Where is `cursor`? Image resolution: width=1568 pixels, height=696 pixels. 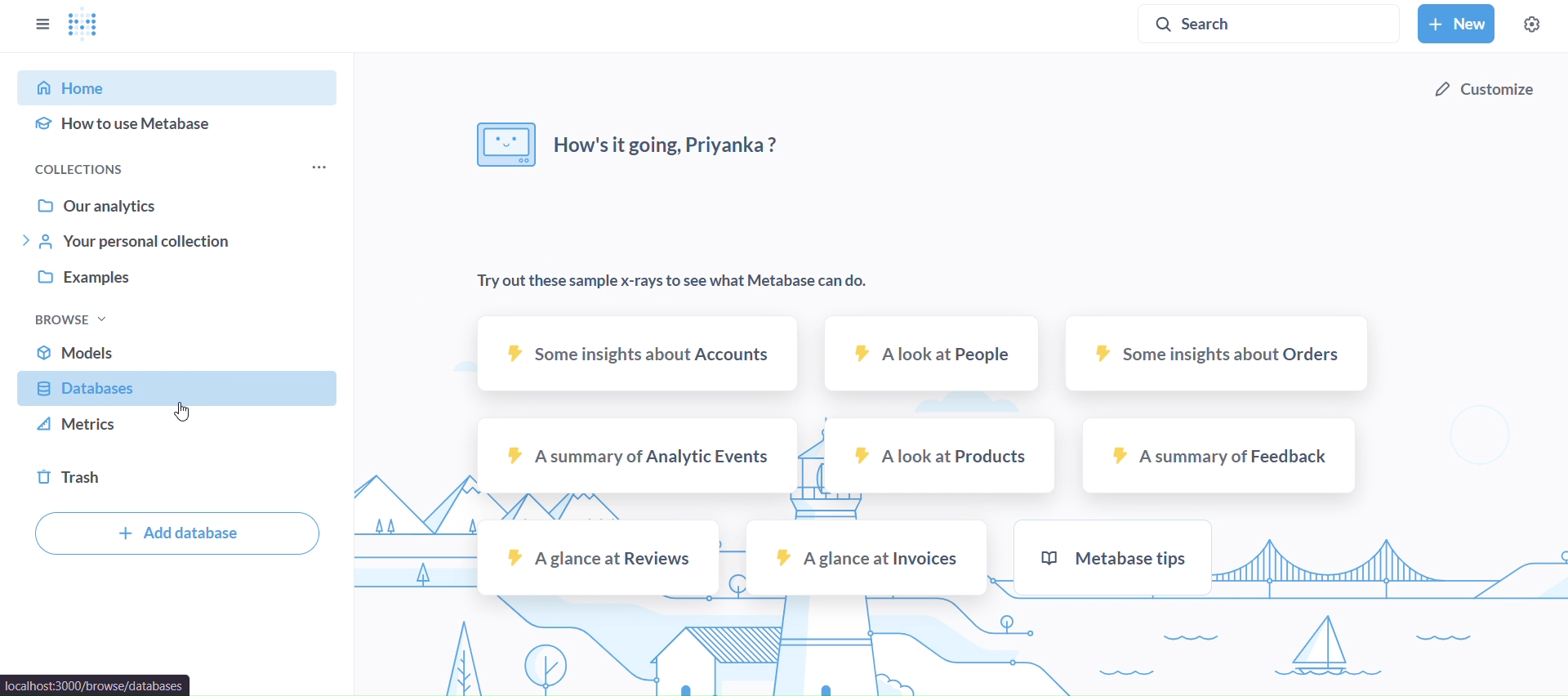
cursor is located at coordinates (184, 415).